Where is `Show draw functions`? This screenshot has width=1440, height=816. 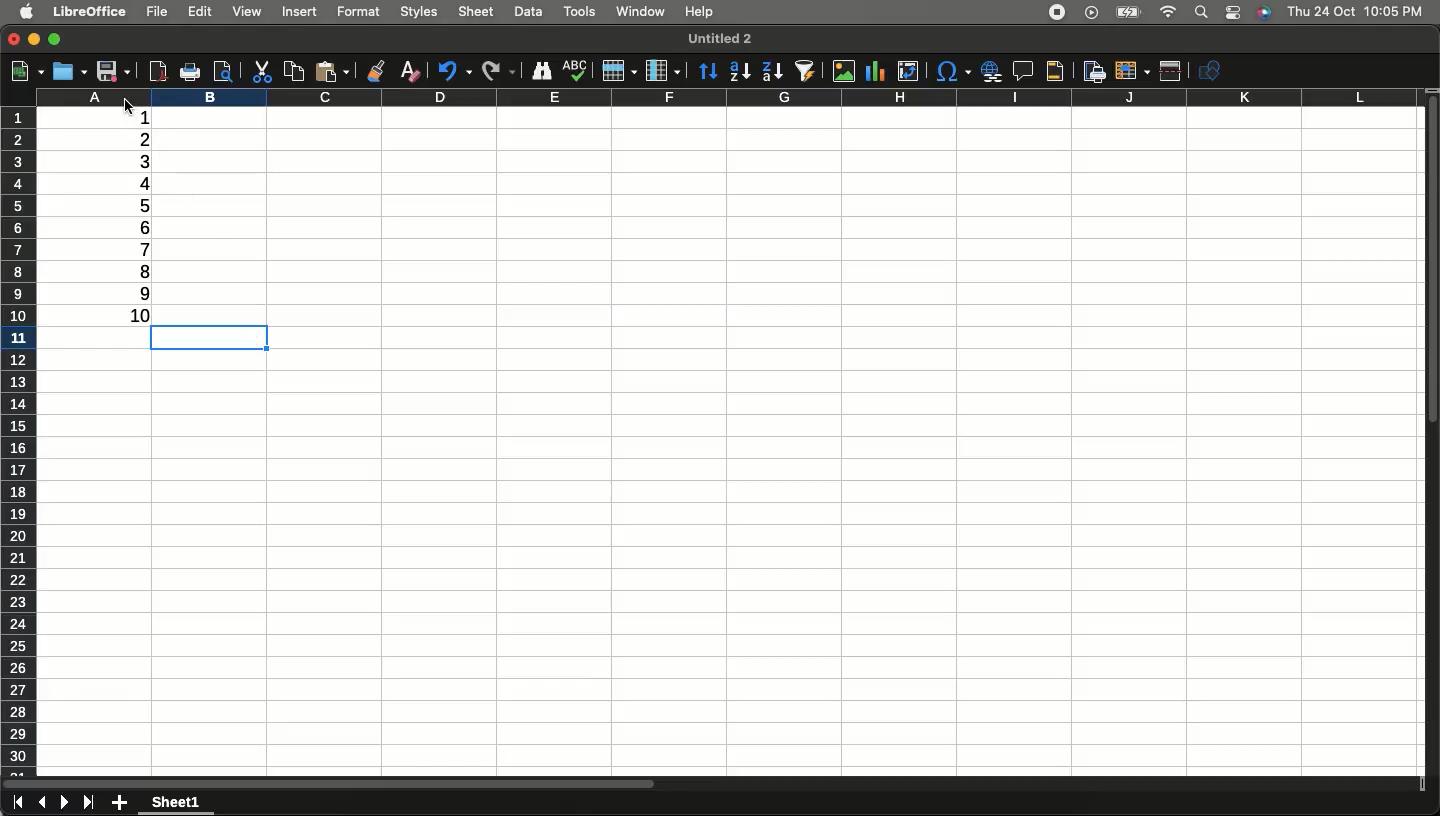
Show draw functions is located at coordinates (1213, 70).